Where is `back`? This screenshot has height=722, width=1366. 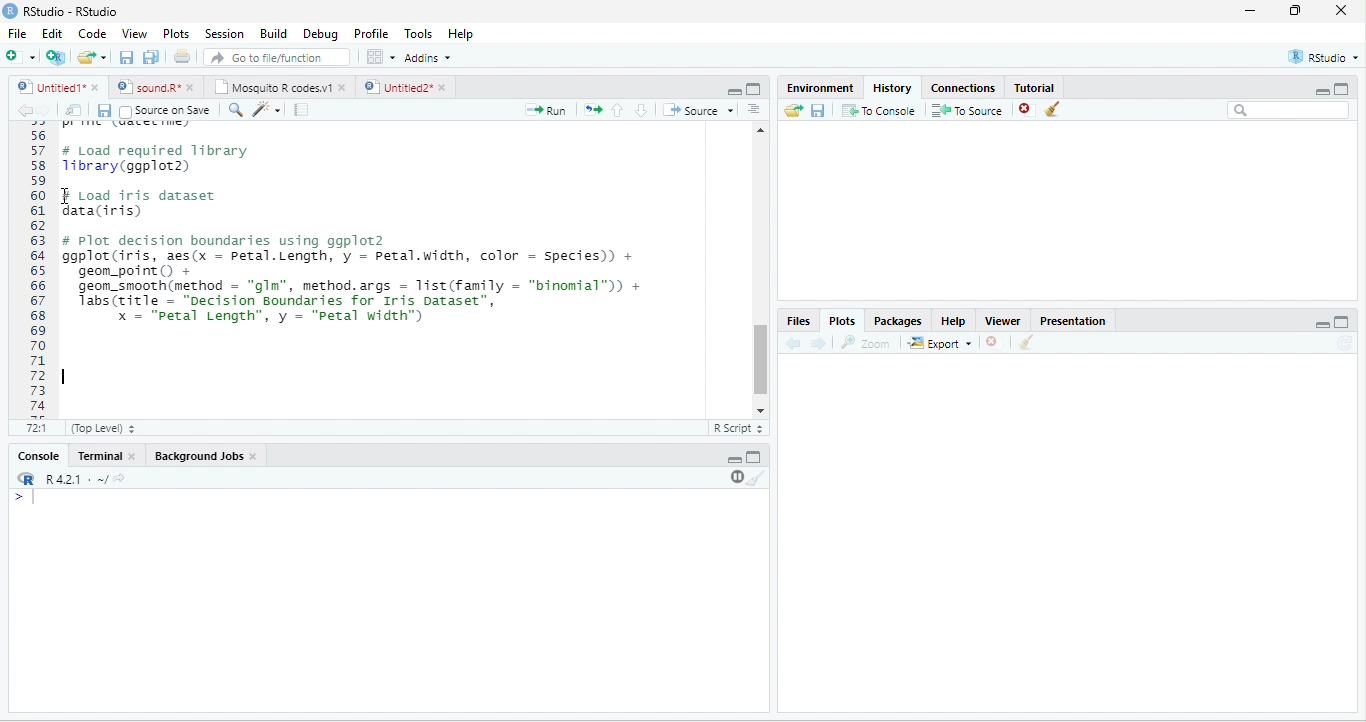 back is located at coordinates (792, 344).